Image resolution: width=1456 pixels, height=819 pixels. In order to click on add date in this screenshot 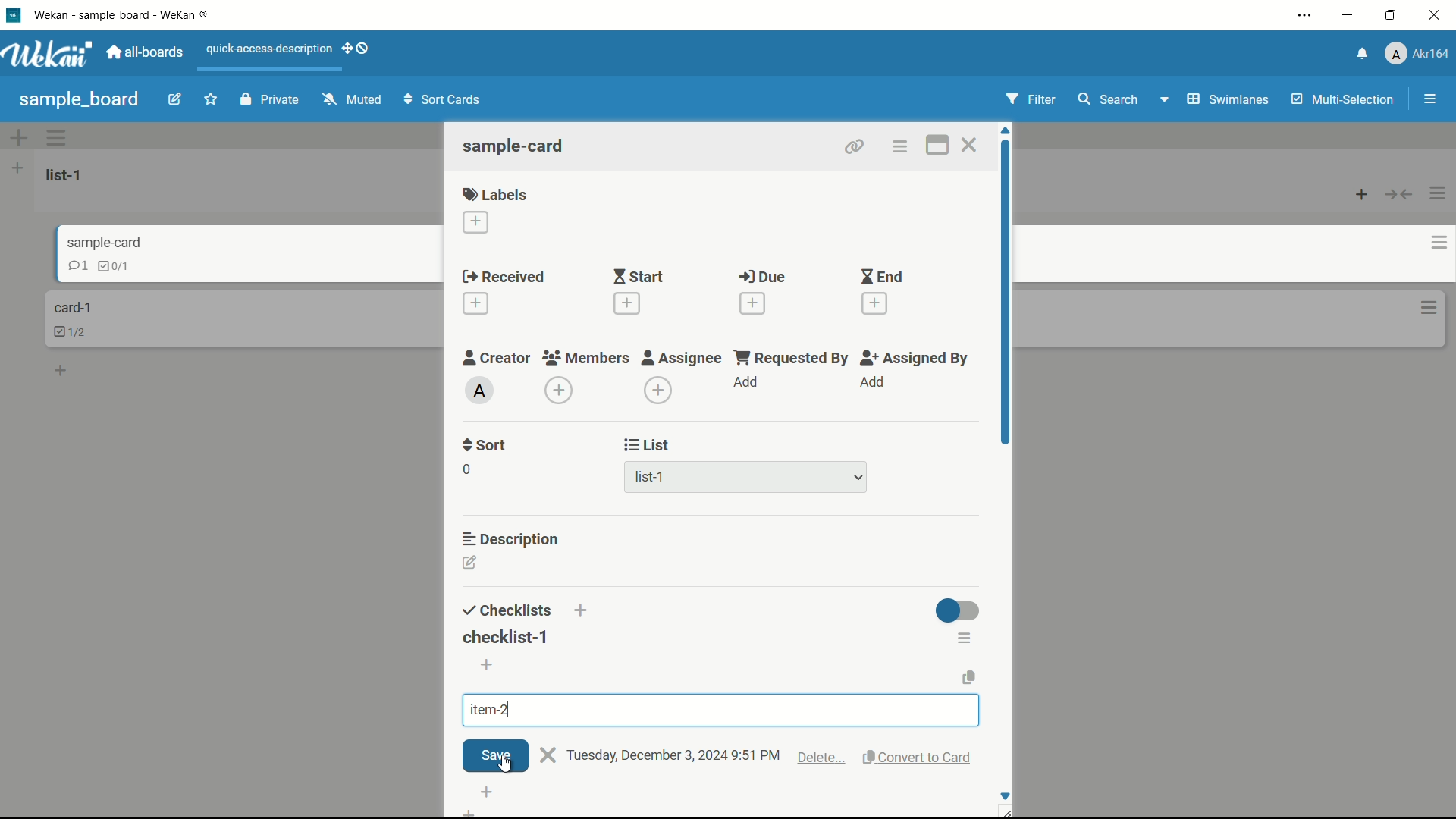, I will do `click(875, 303)`.